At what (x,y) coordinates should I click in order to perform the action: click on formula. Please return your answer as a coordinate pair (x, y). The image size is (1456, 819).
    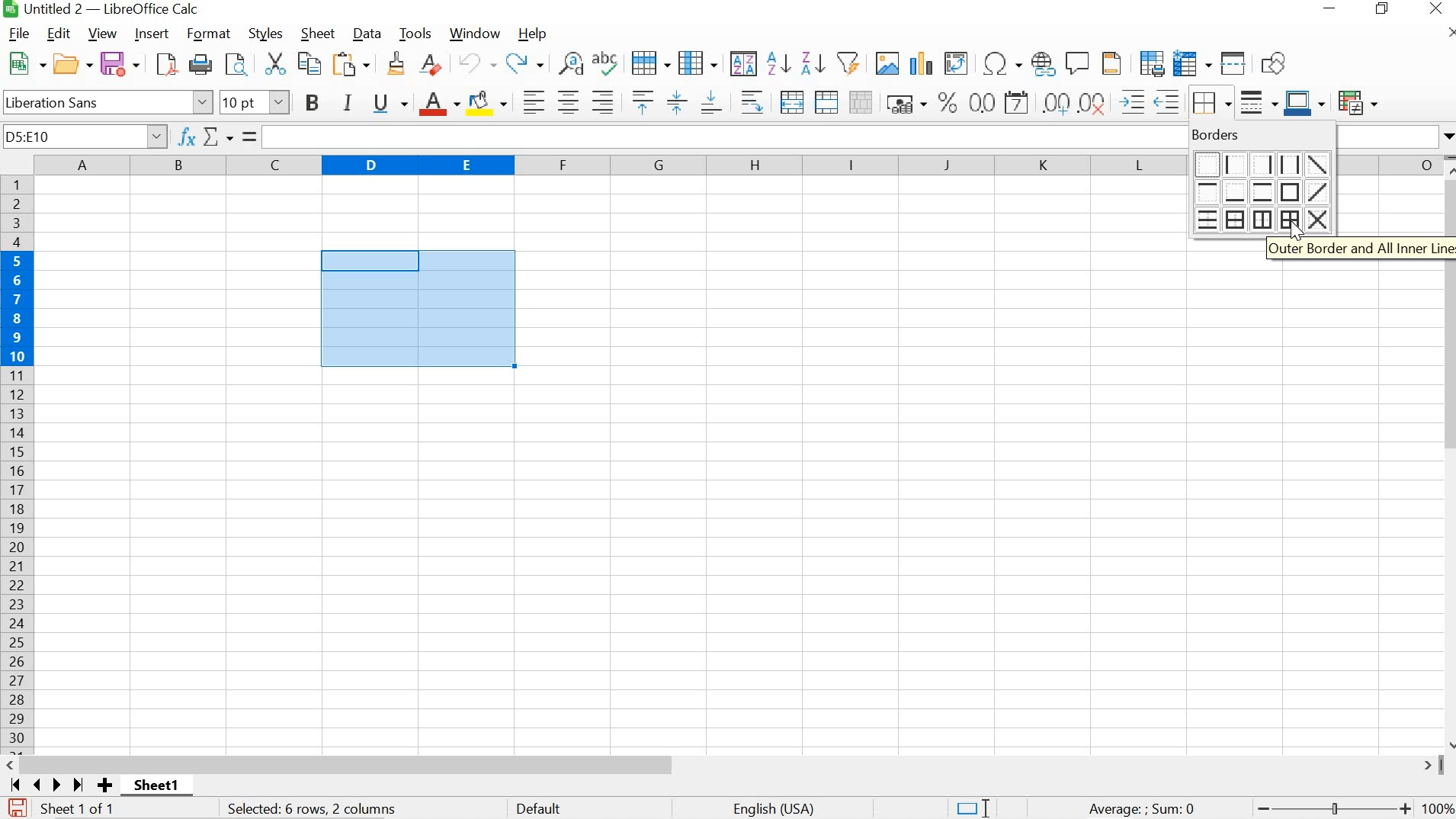
    Looking at the image, I should click on (1142, 810).